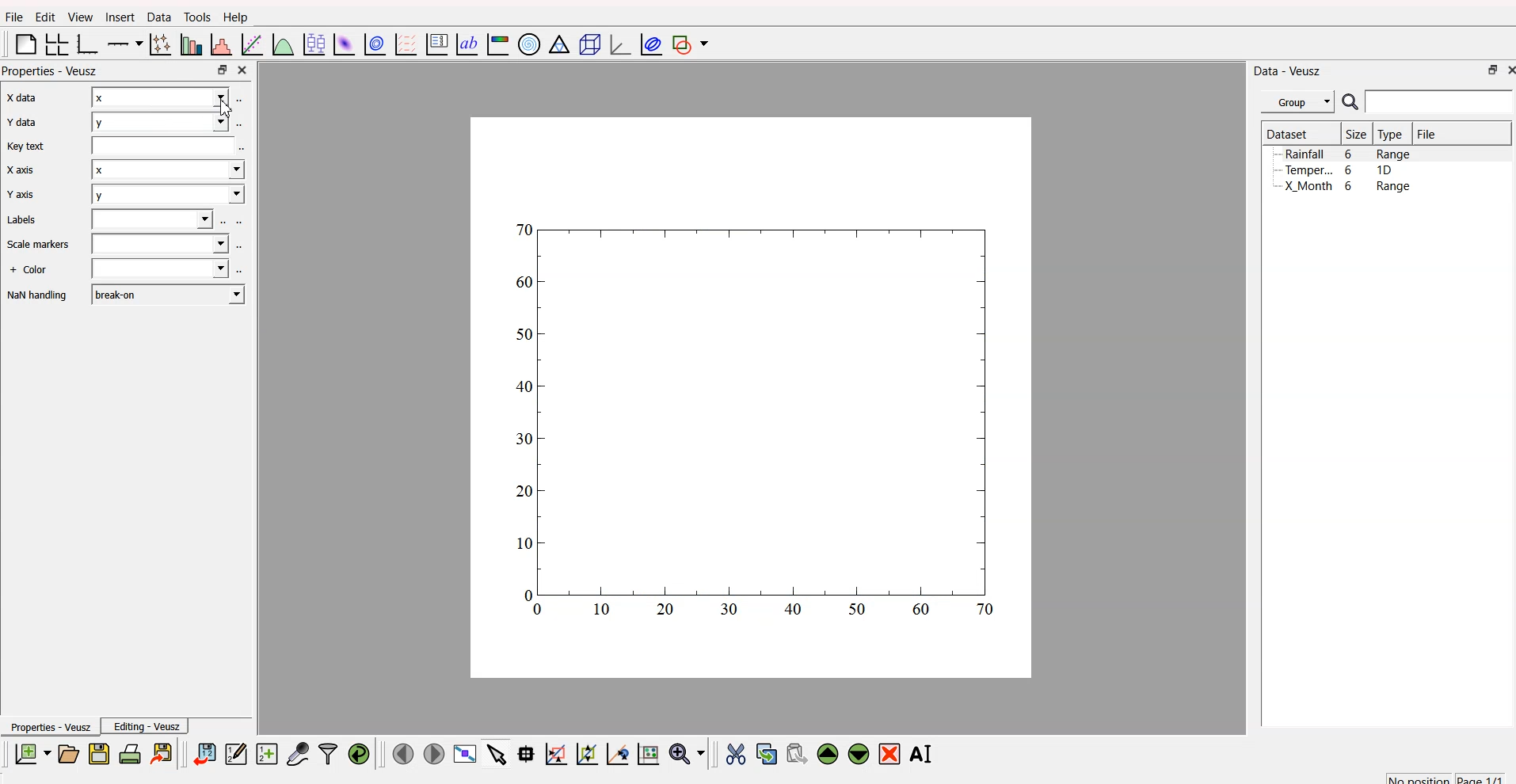  I want to click on plot points, so click(158, 44).